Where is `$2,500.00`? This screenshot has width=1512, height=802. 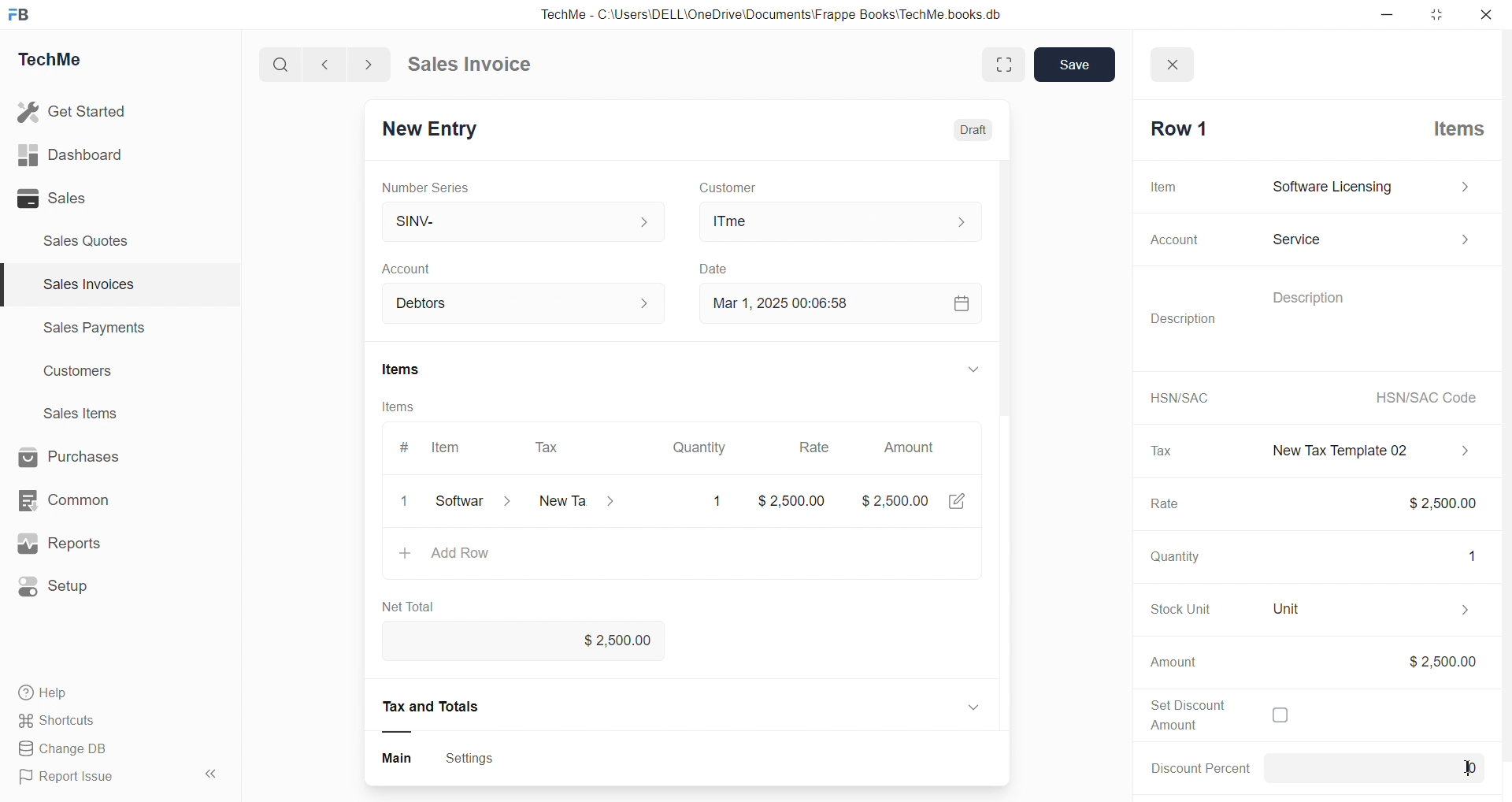 $2,500.00 is located at coordinates (609, 641).